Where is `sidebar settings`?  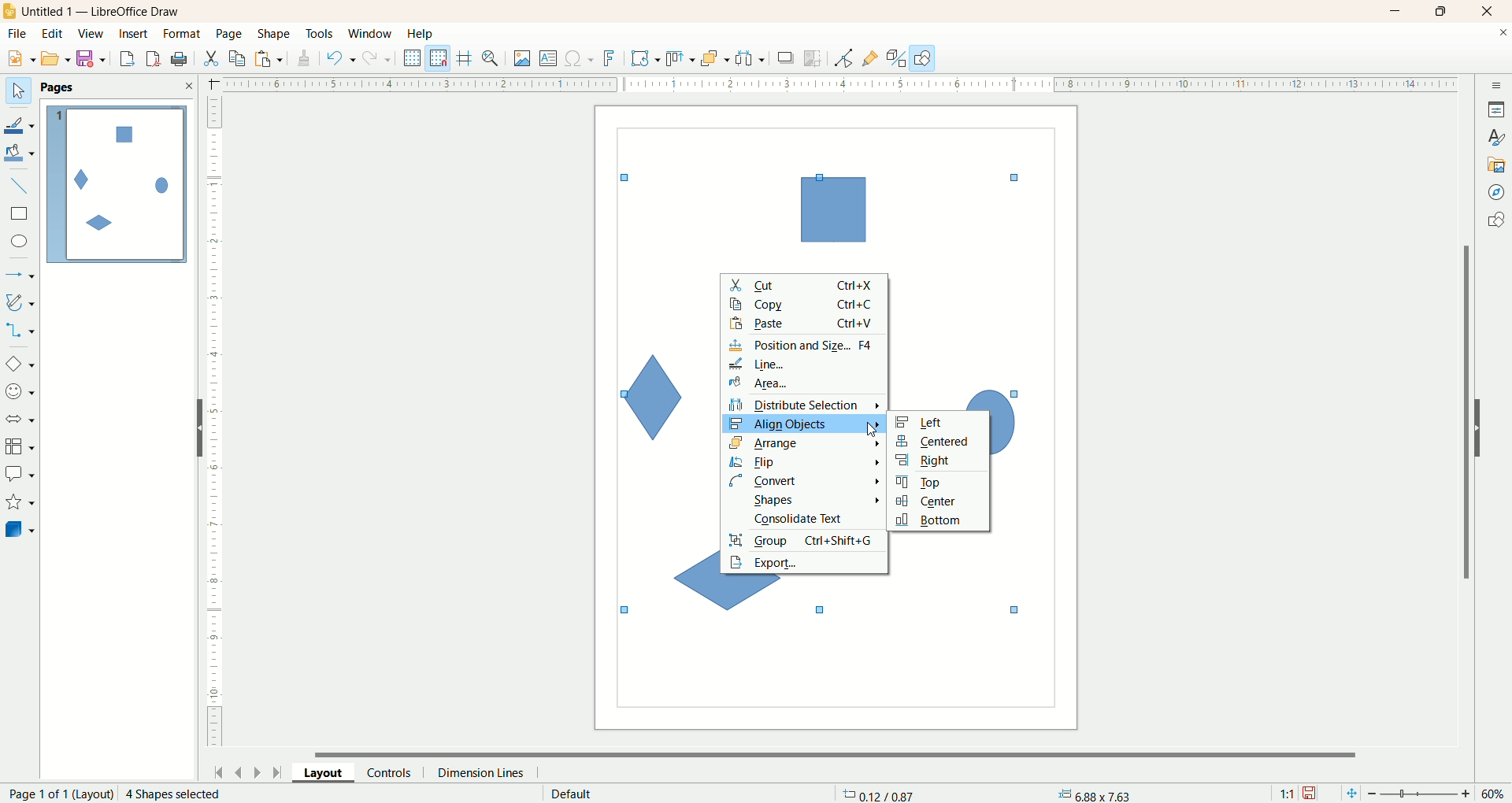 sidebar settings is located at coordinates (1497, 83).